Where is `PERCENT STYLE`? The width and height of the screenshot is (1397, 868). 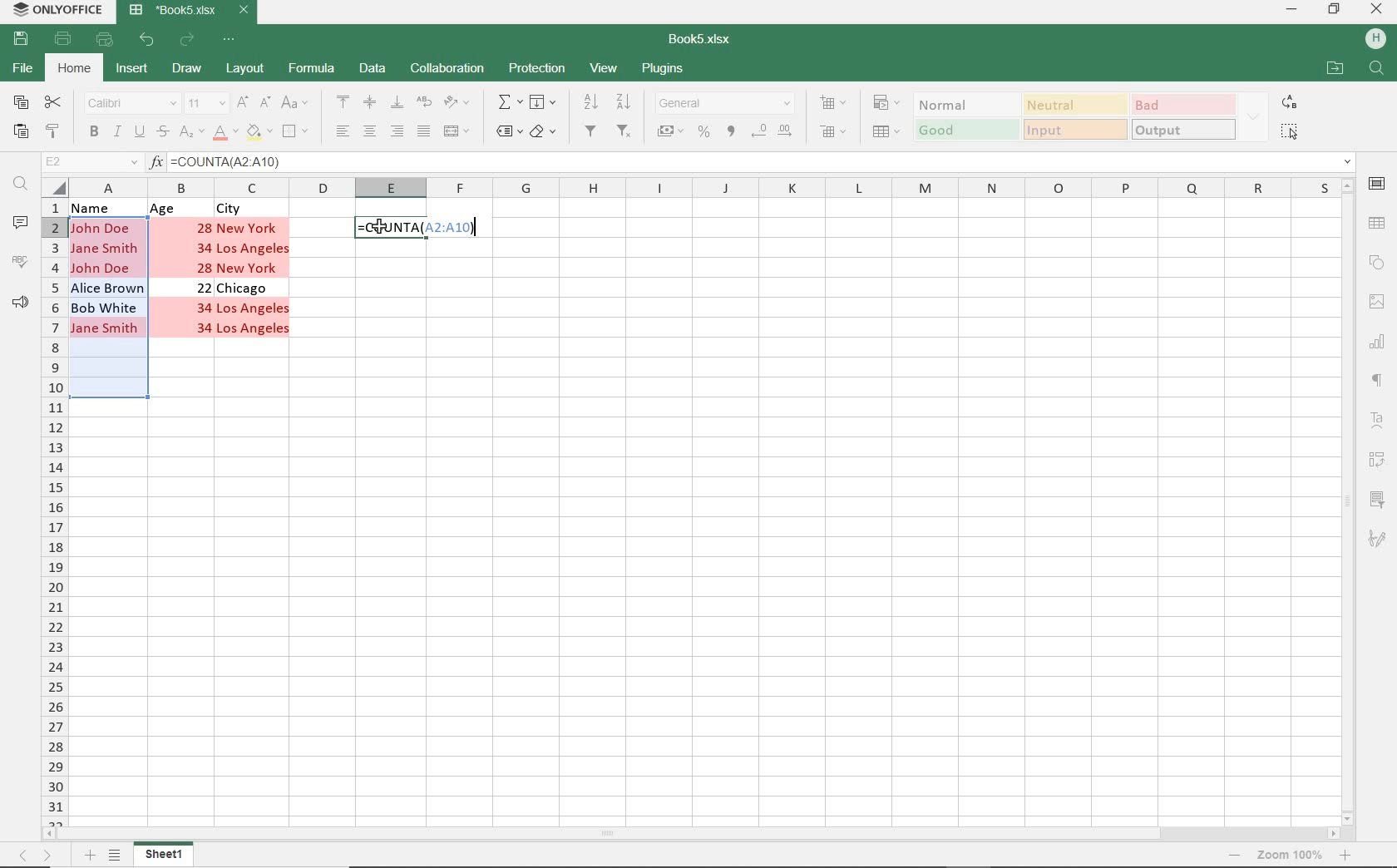 PERCENT STYLE is located at coordinates (705, 134).